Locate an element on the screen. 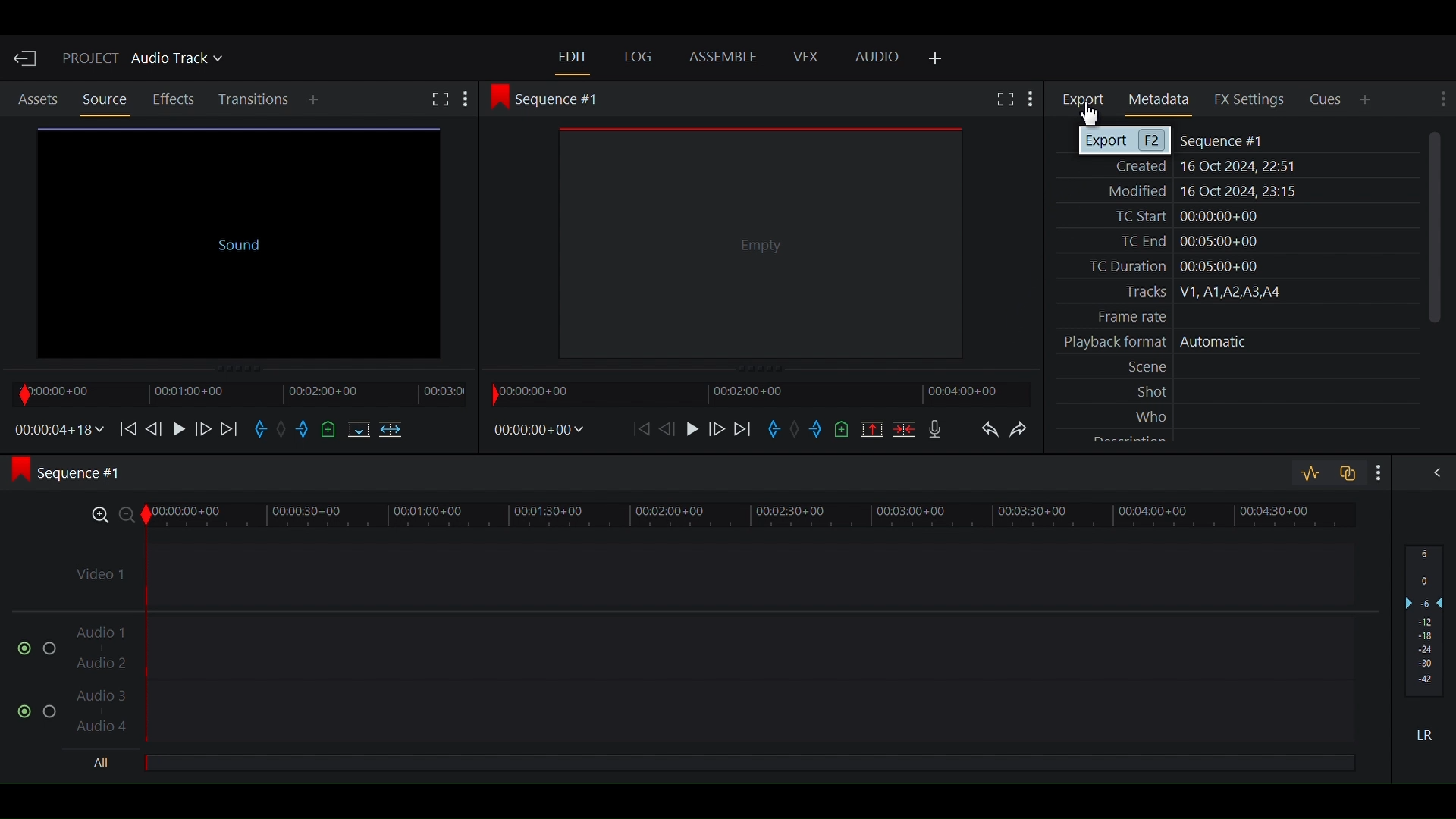 This screenshot has height=819, width=1456. Transition is located at coordinates (256, 100).